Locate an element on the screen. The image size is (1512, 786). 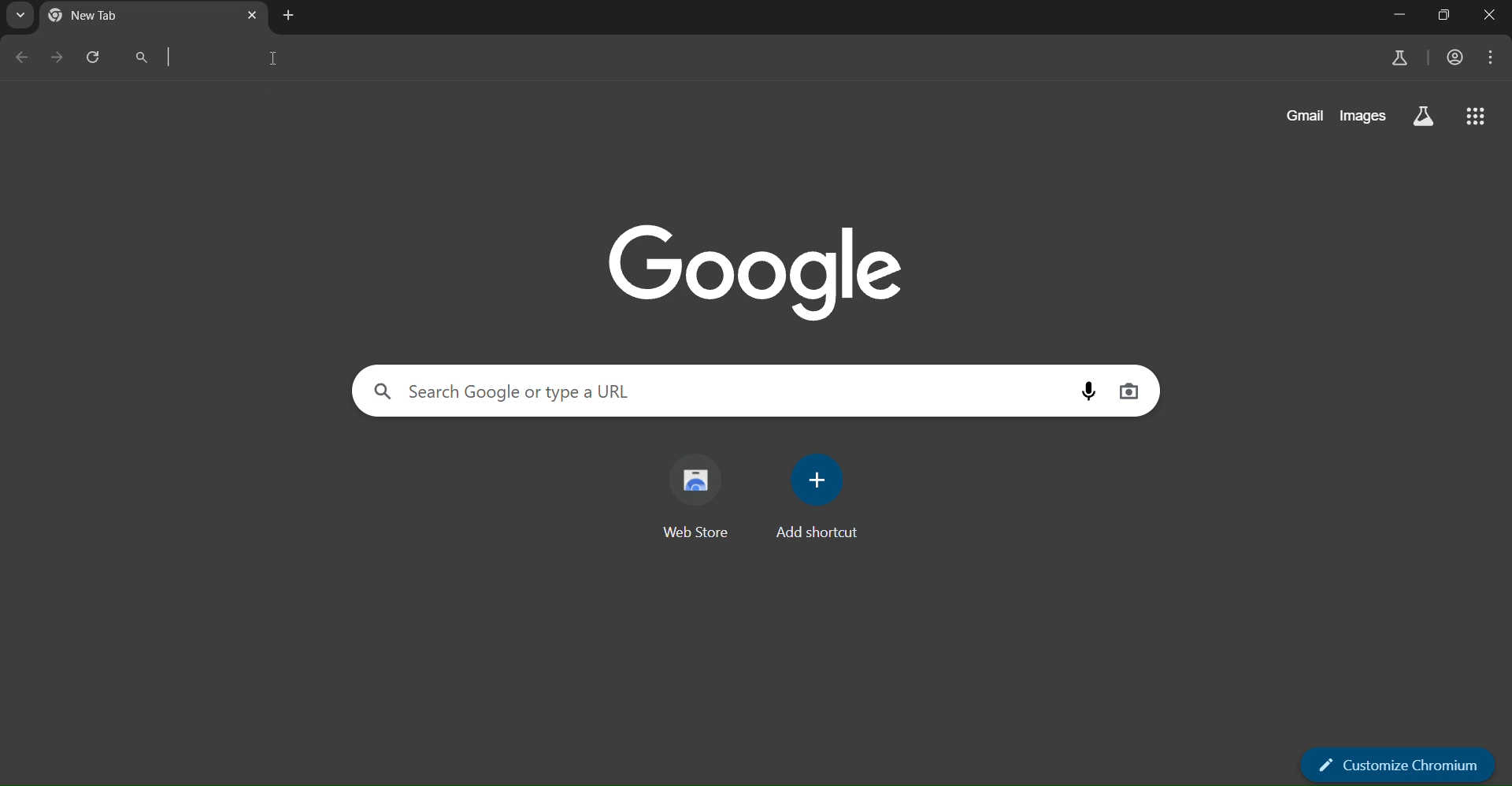
image is located at coordinates (752, 272).